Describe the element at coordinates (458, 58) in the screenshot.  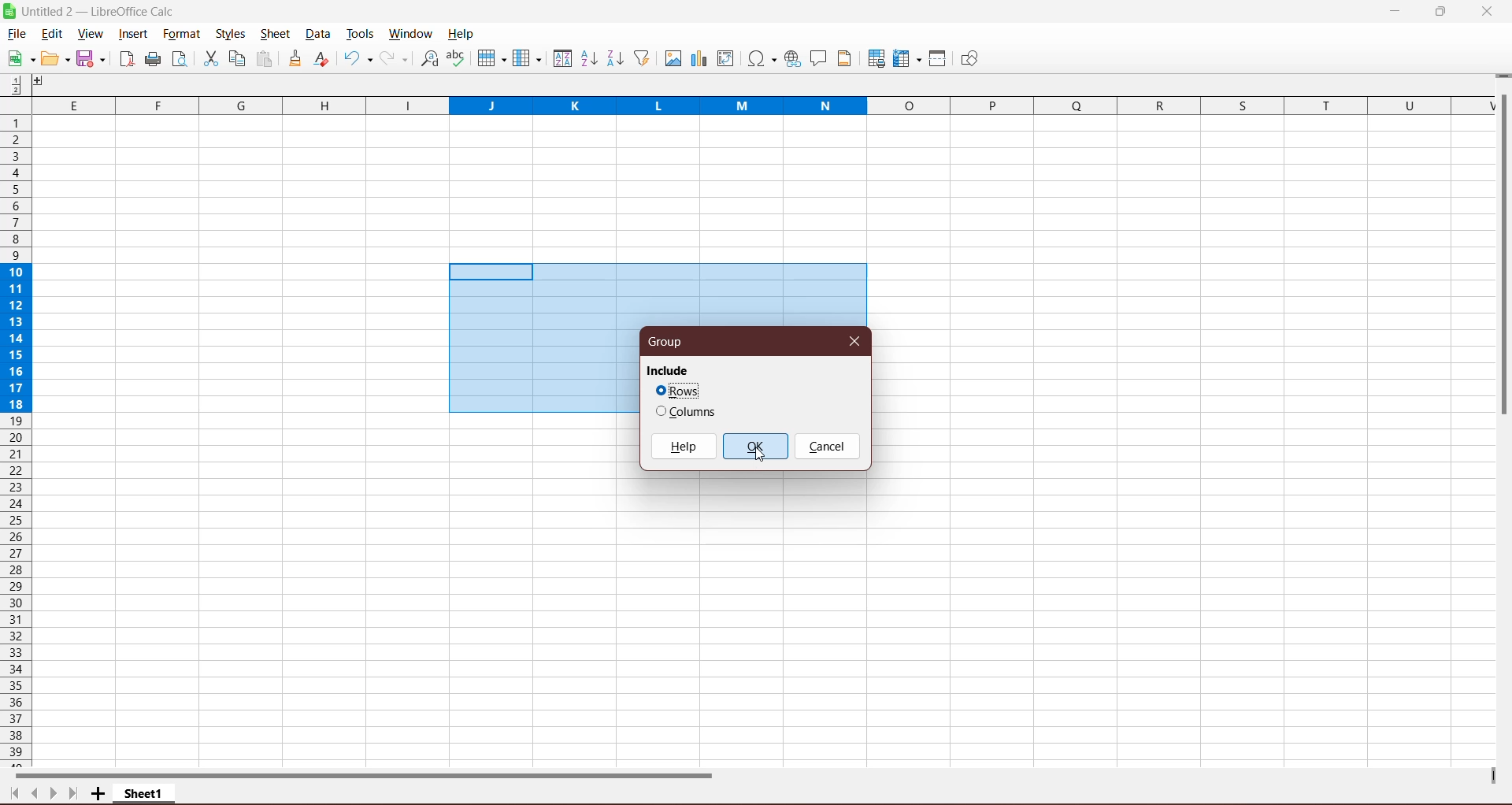
I see `Spelling` at that location.